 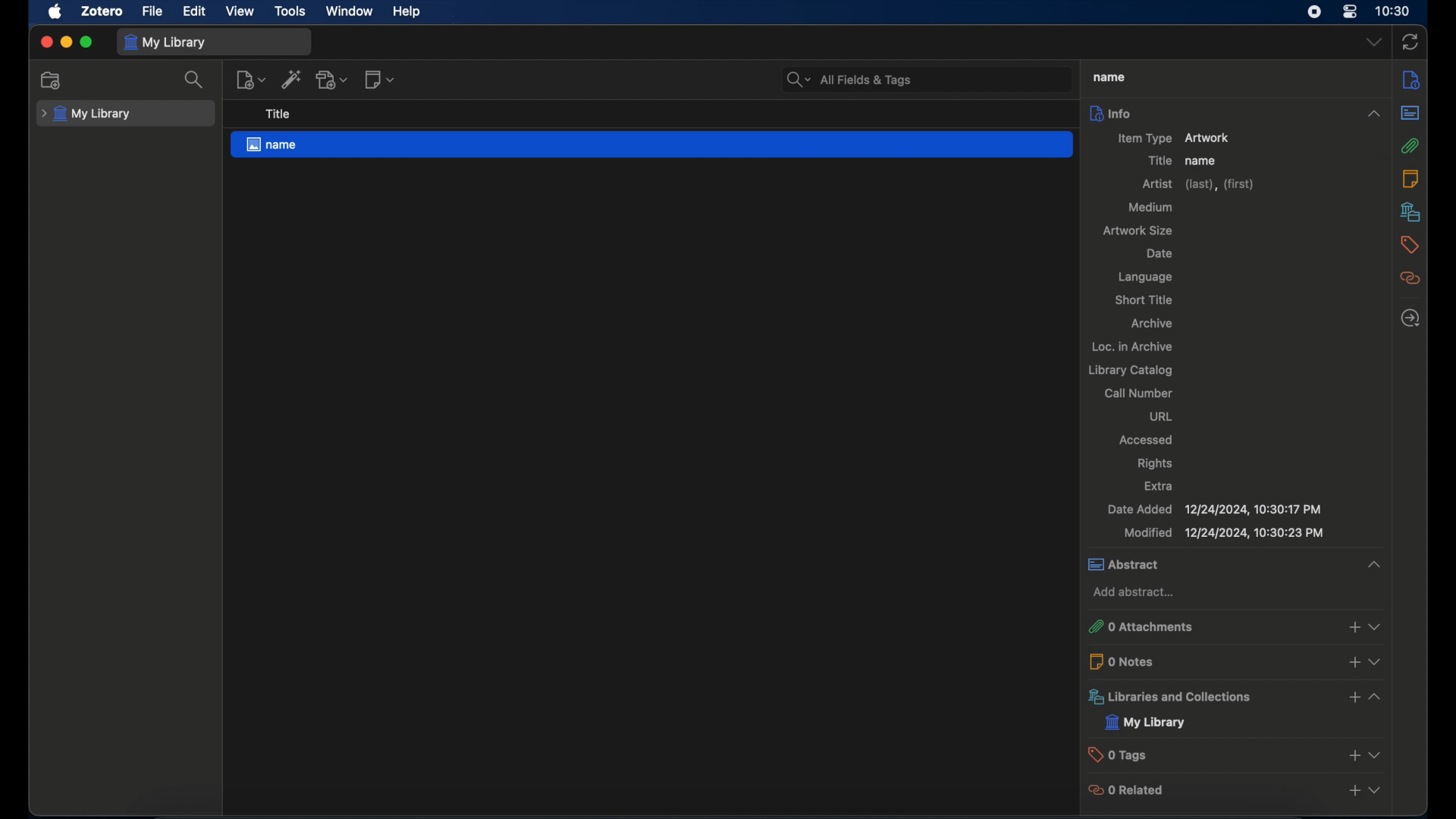 I want to click on add, so click(x=1348, y=698).